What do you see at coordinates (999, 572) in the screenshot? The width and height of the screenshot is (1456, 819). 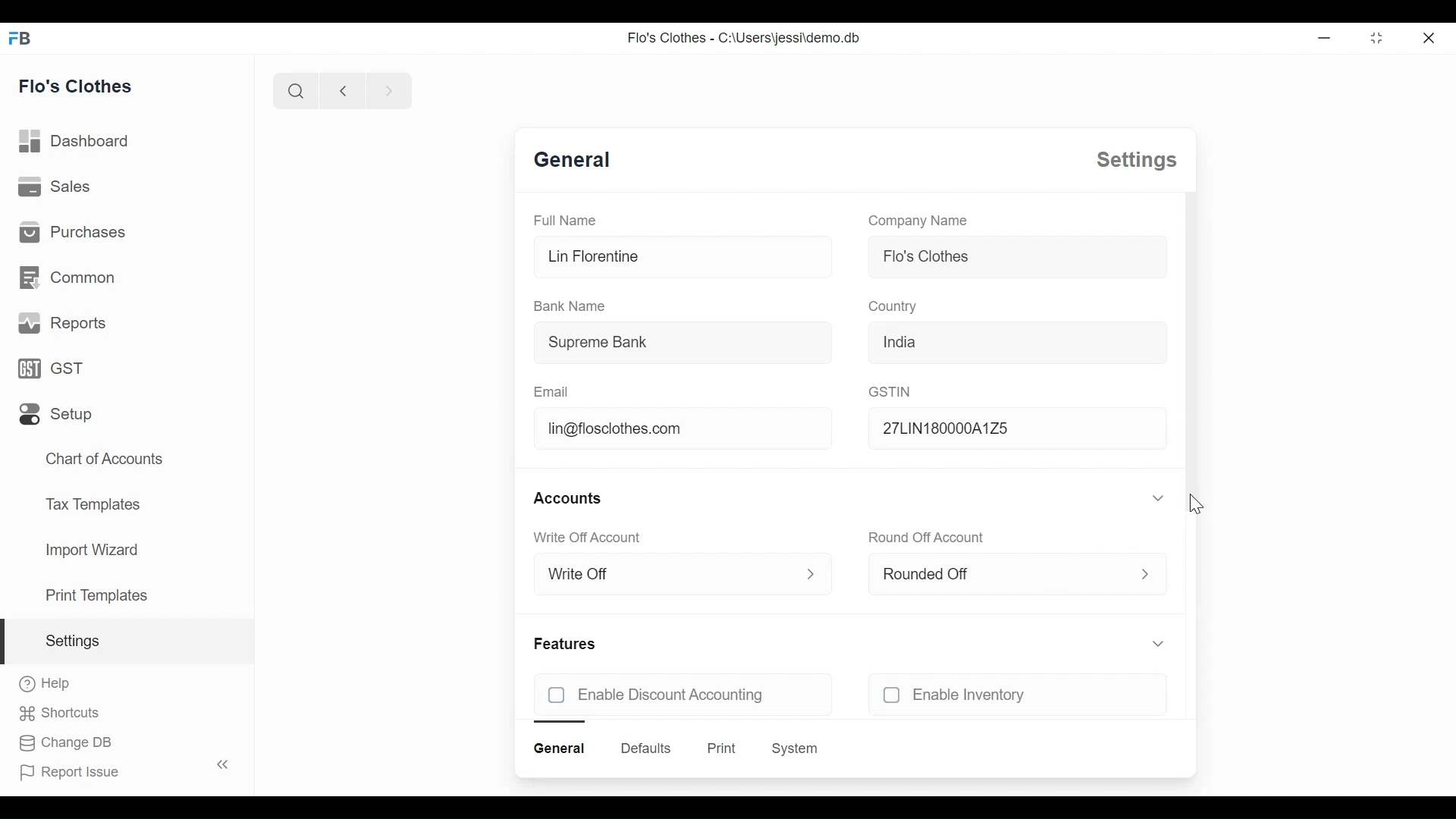 I see `Rounded Off` at bounding box center [999, 572].